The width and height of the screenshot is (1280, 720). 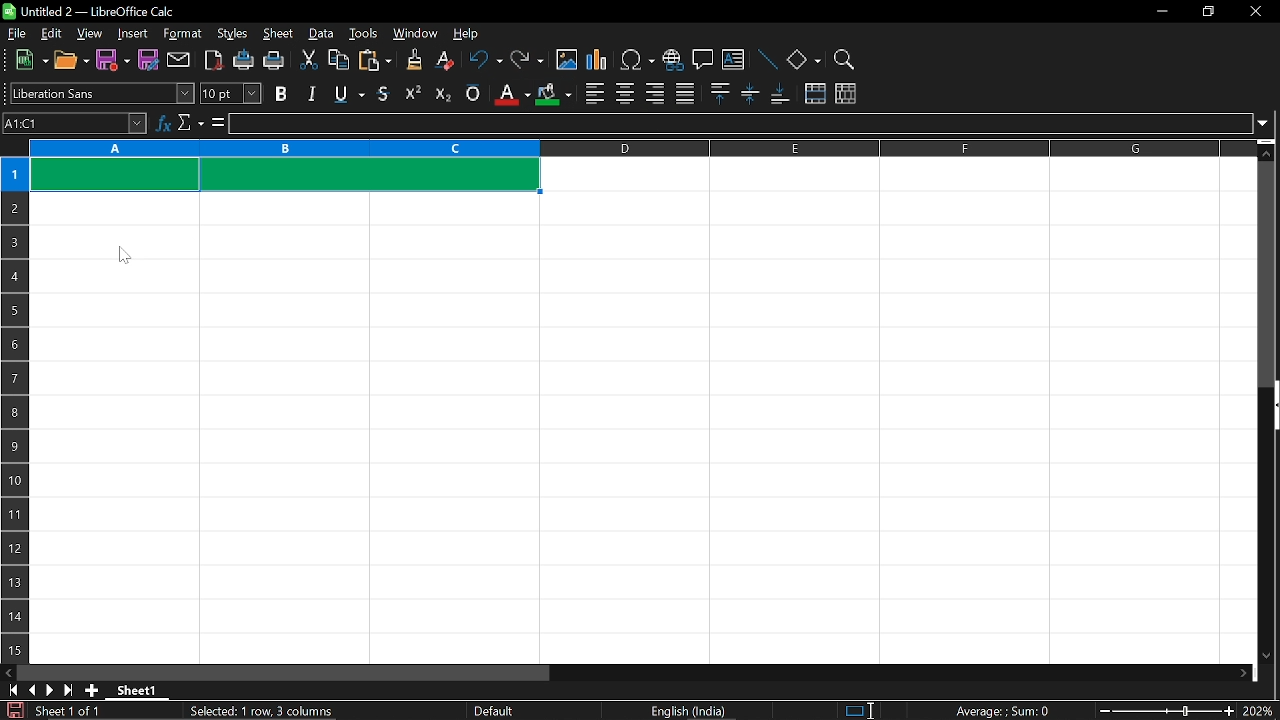 I want to click on Default, so click(x=497, y=711).